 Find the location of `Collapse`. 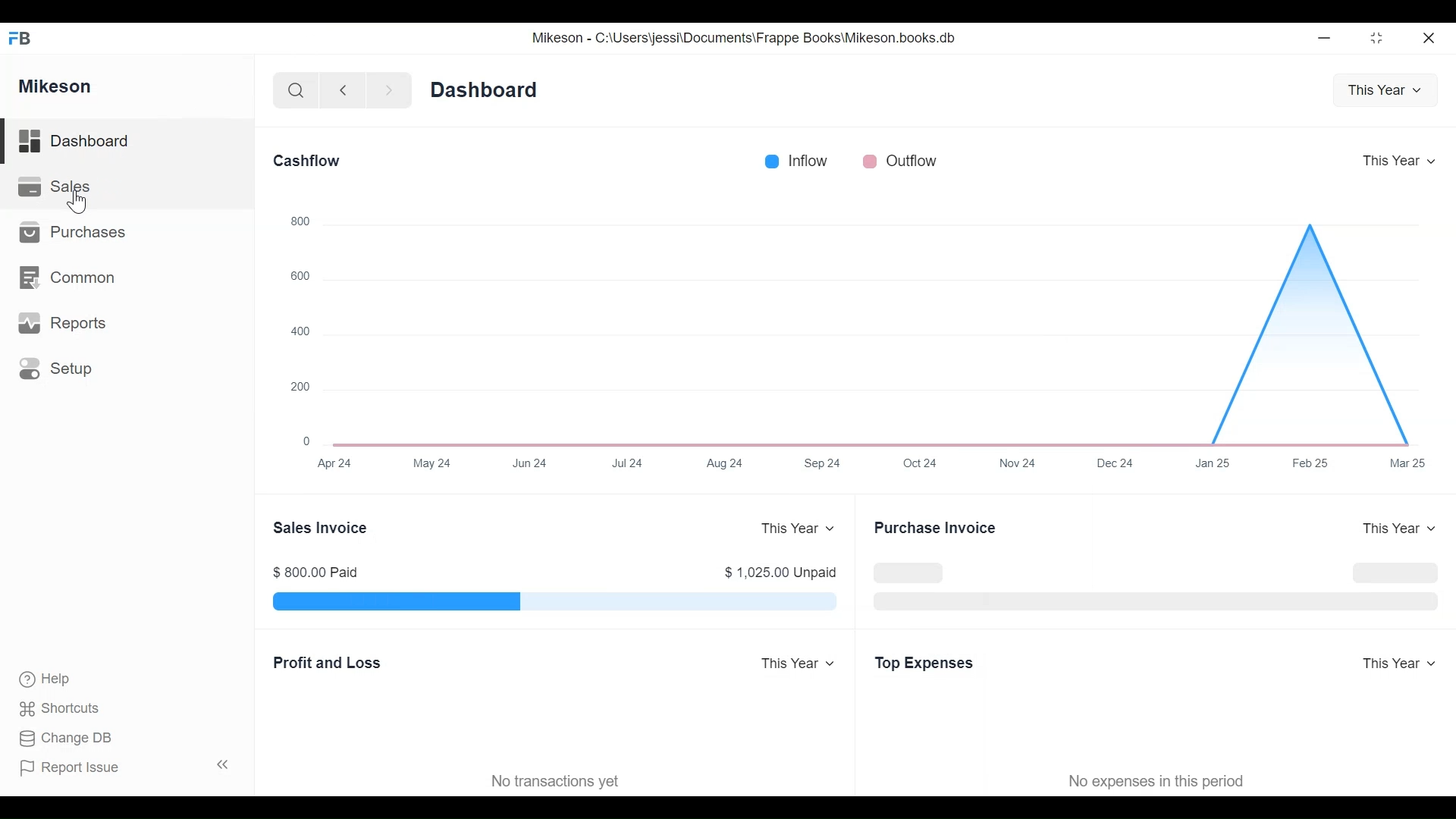

Collapse is located at coordinates (226, 766).